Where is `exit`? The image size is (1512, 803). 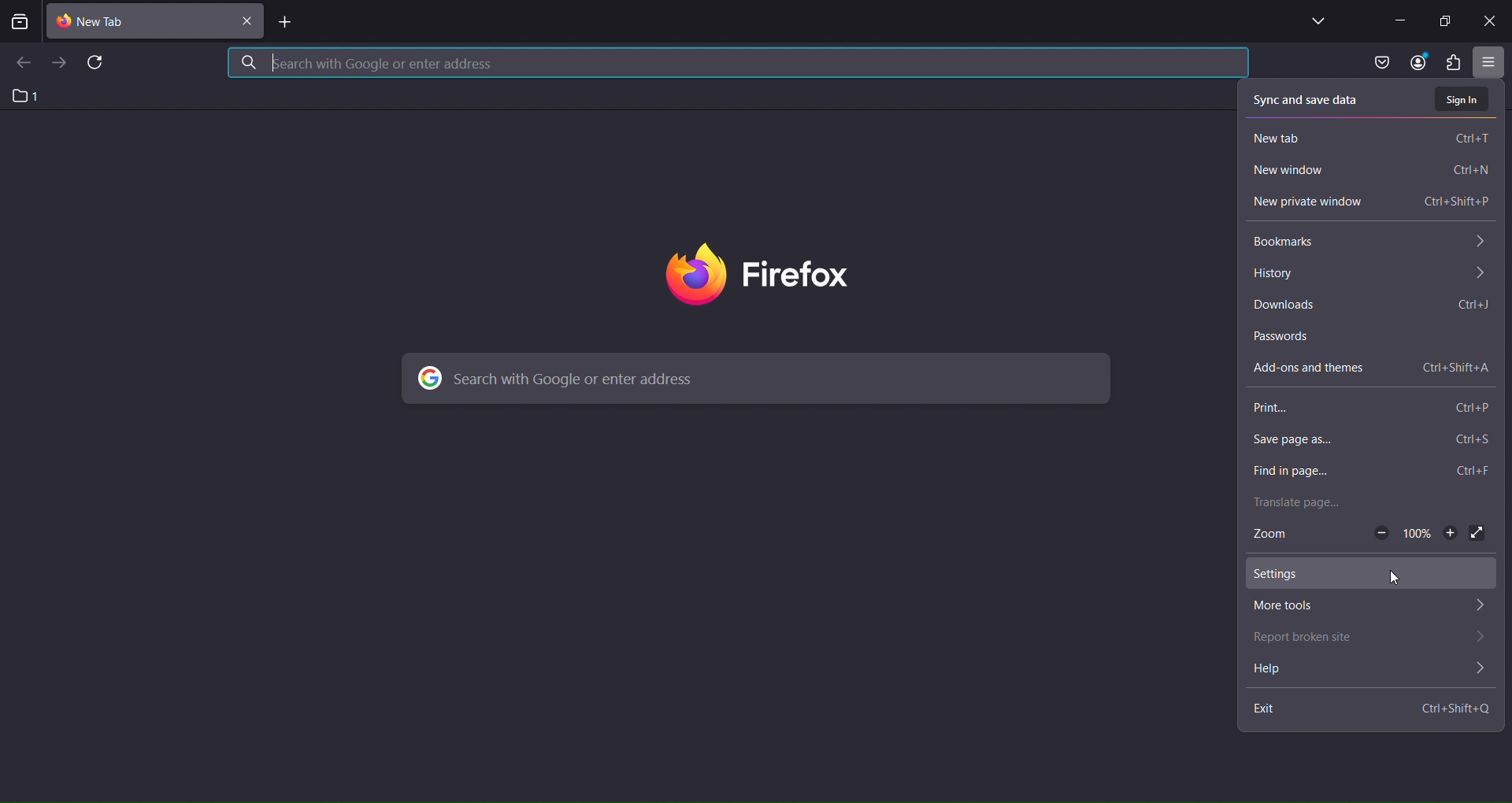
exit is located at coordinates (1373, 708).